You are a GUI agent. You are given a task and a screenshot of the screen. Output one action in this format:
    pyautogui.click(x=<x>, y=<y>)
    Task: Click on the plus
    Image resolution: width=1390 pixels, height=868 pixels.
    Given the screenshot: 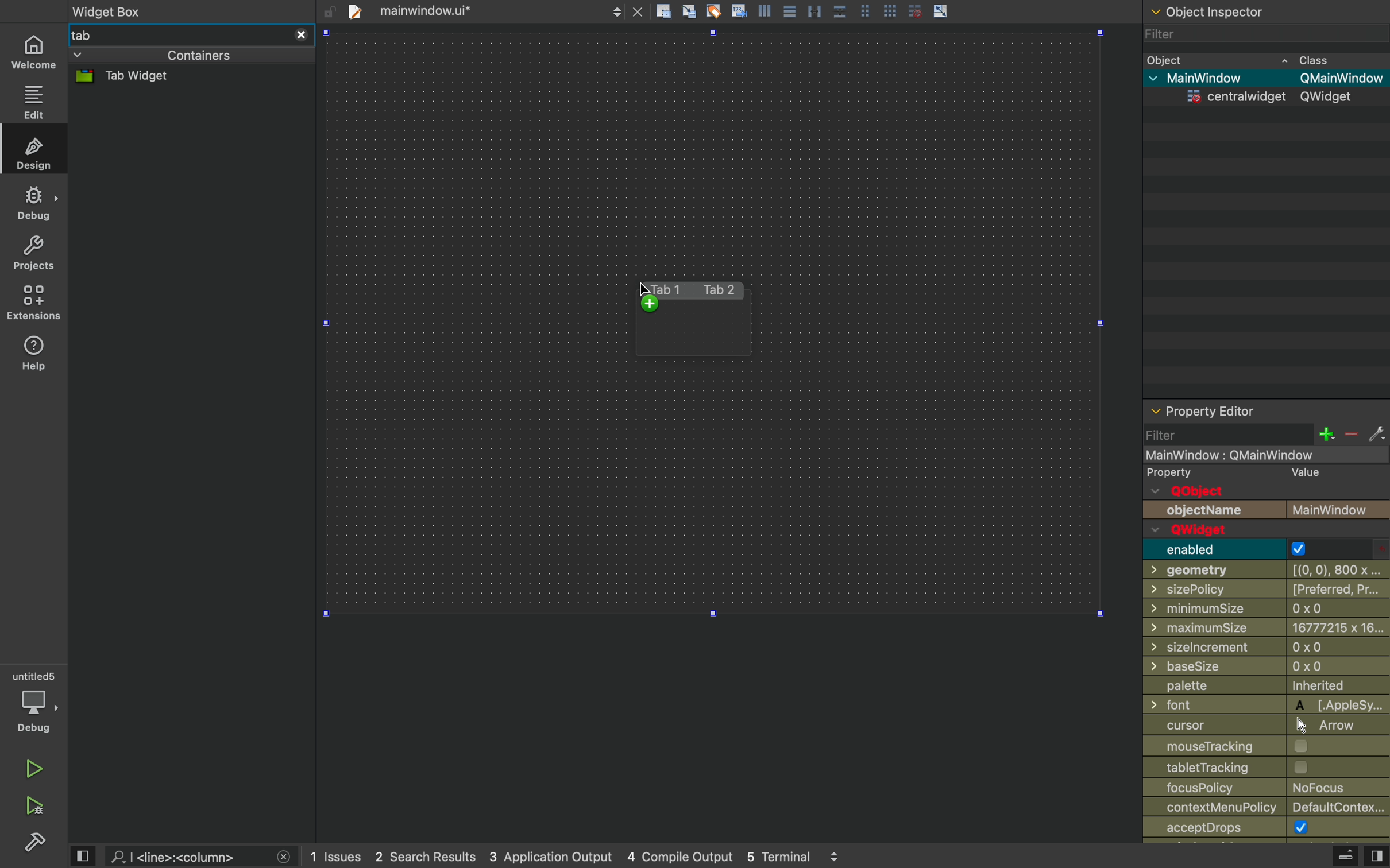 What is the action you would take?
    pyautogui.click(x=1325, y=434)
    